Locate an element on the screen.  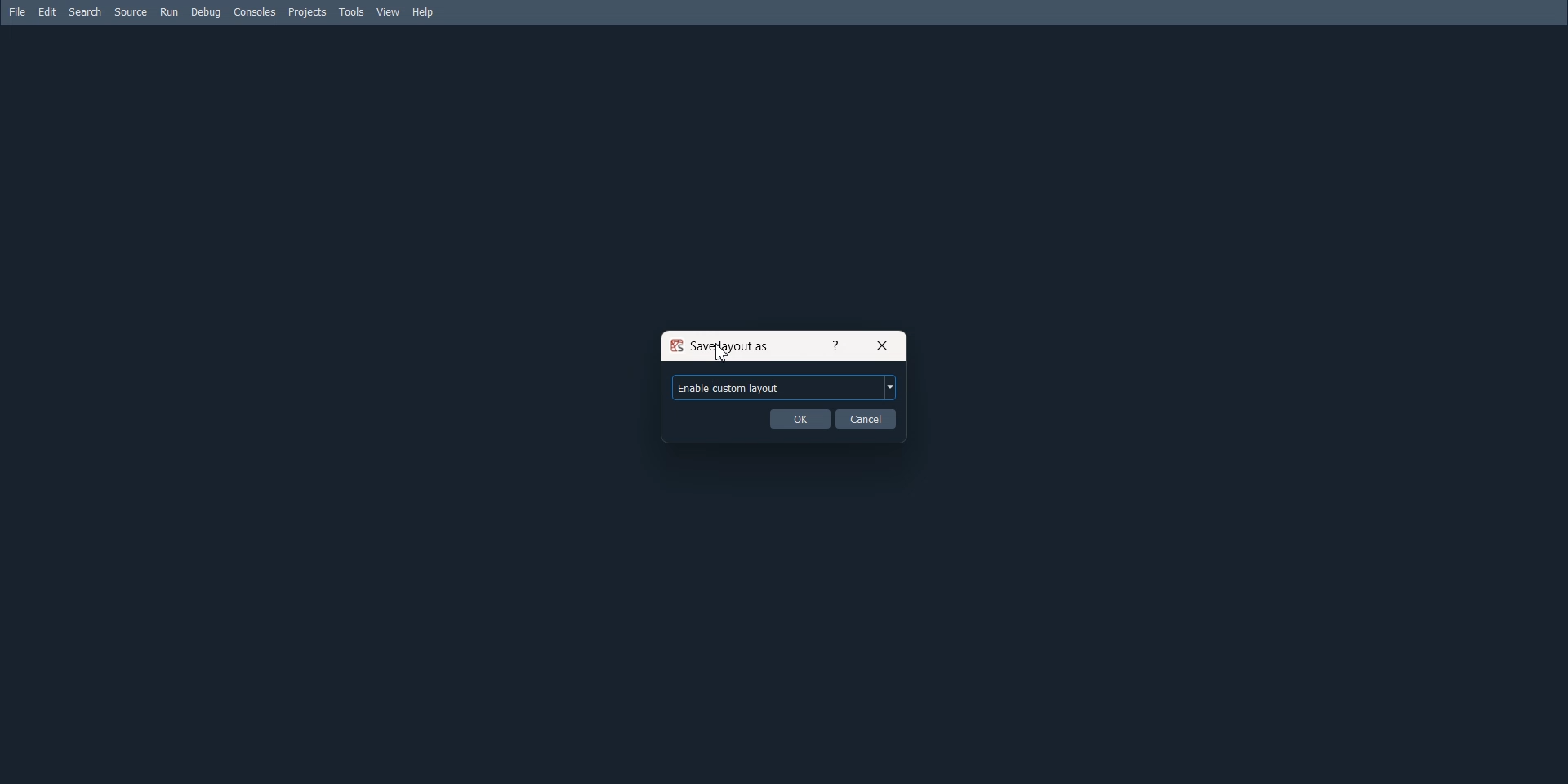
Get Help is located at coordinates (834, 345).